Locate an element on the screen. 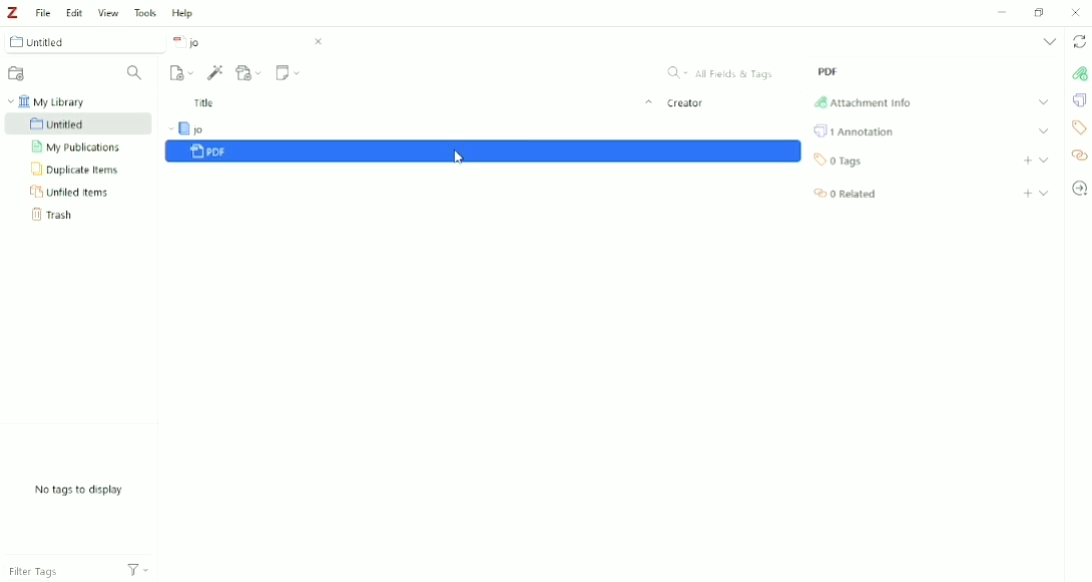 Image resolution: width=1092 pixels, height=582 pixels. Edit is located at coordinates (74, 12).